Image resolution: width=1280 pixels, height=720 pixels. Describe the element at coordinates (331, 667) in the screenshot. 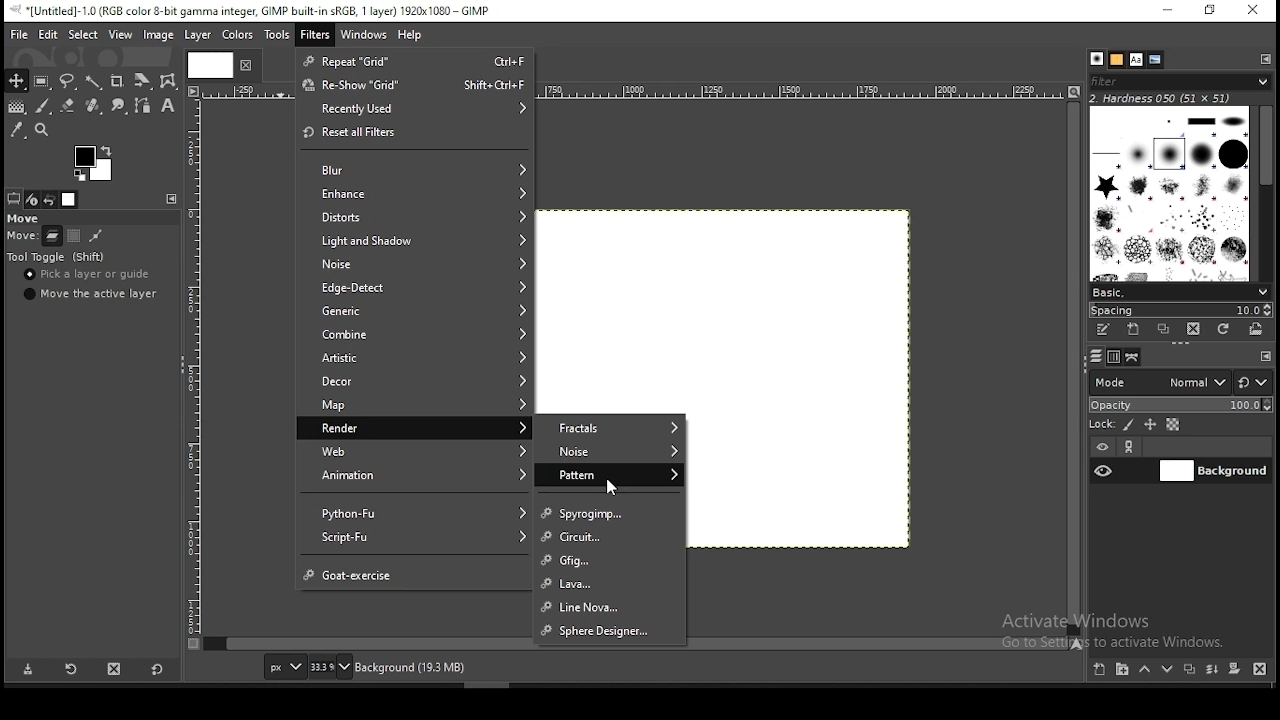

I see `zoom status` at that location.